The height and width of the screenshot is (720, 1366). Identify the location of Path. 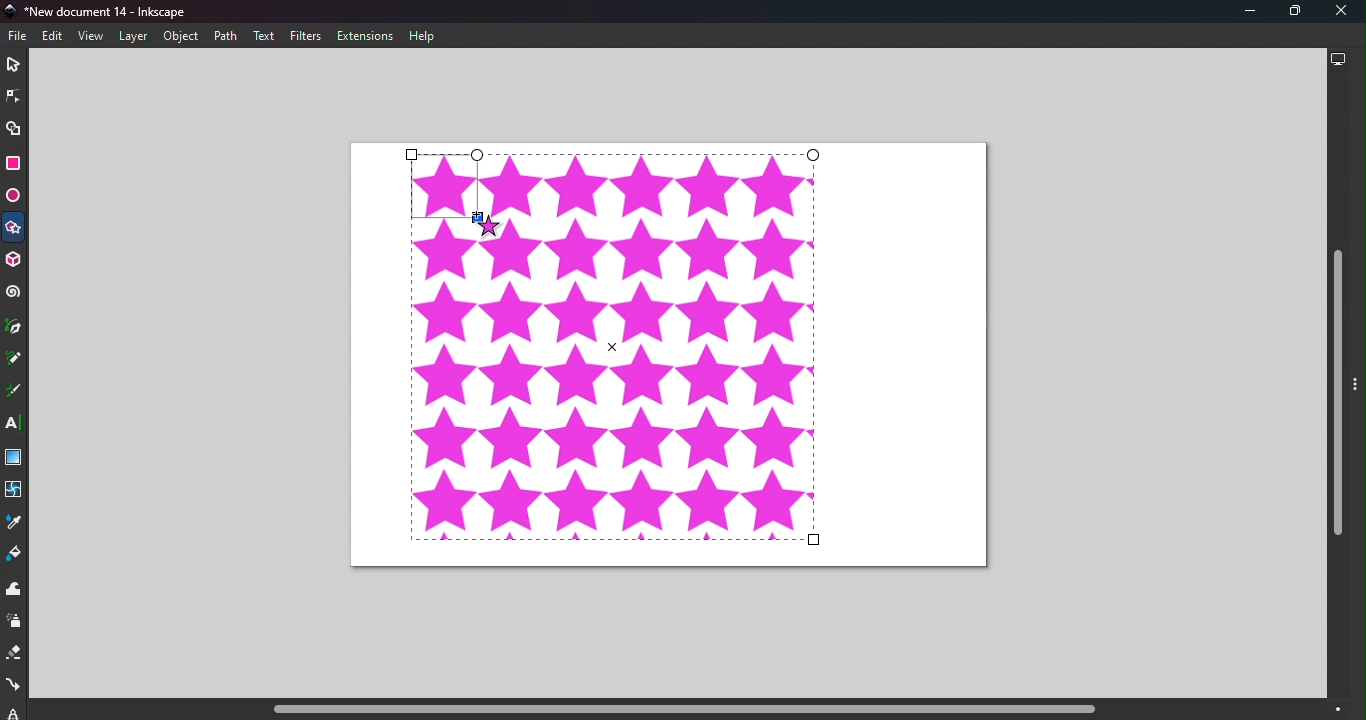
(223, 35).